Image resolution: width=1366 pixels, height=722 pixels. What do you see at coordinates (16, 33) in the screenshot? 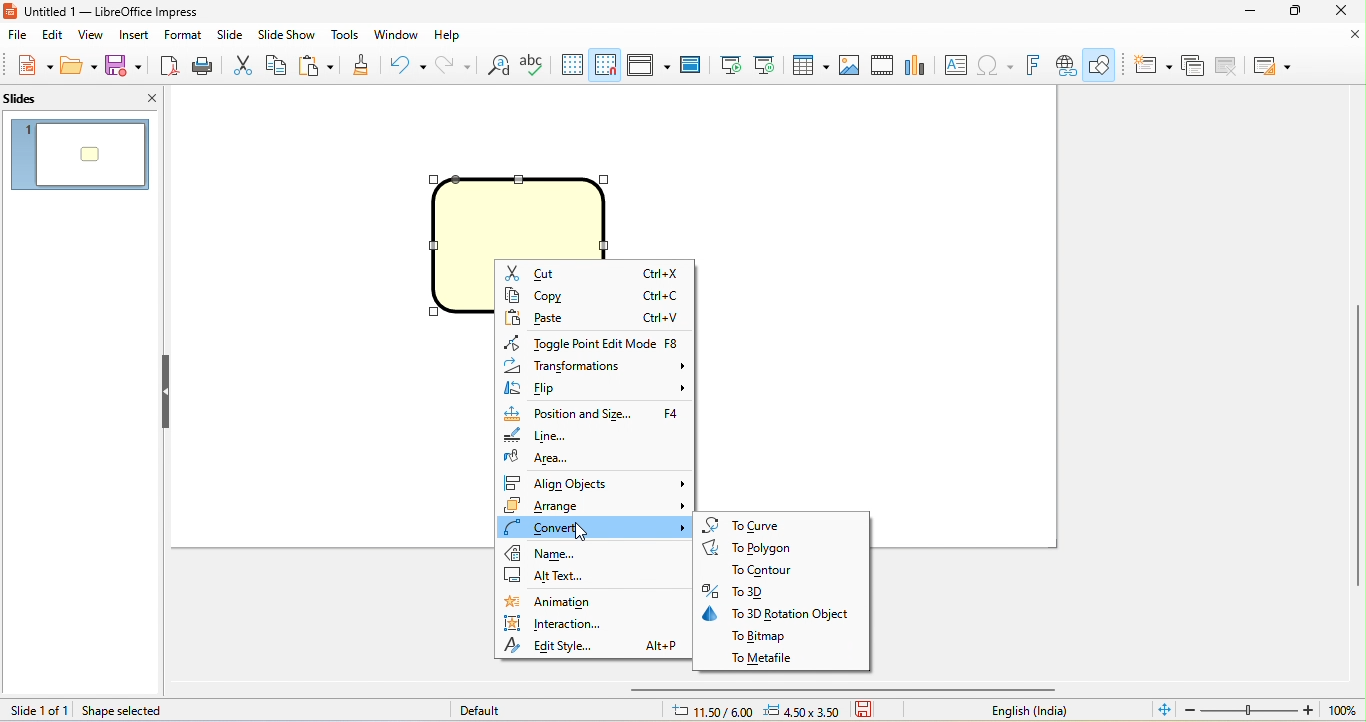
I see `file` at bounding box center [16, 33].